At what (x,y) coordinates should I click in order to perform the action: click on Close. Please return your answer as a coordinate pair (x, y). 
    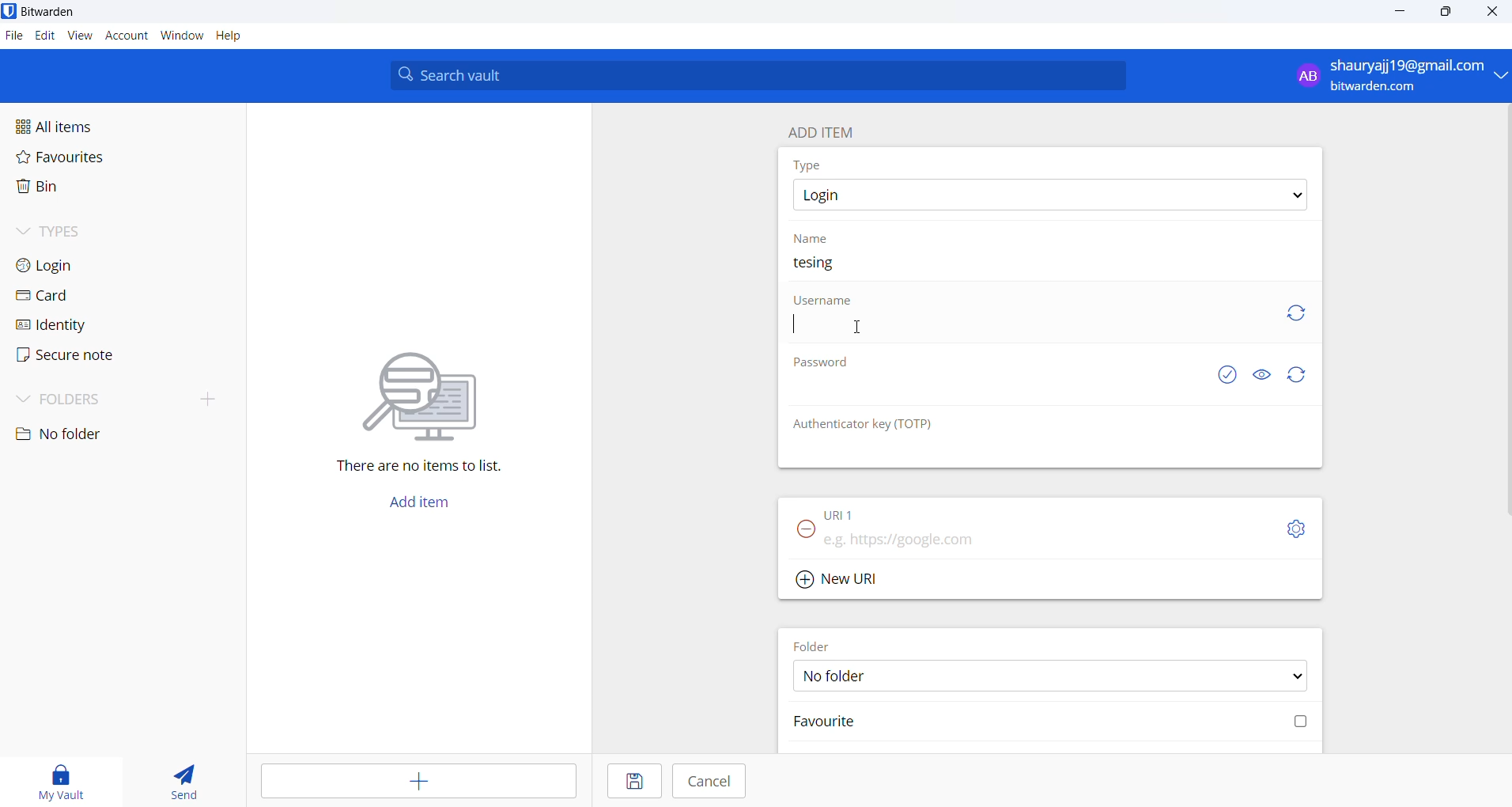
    Looking at the image, I should click on (1494, 14).